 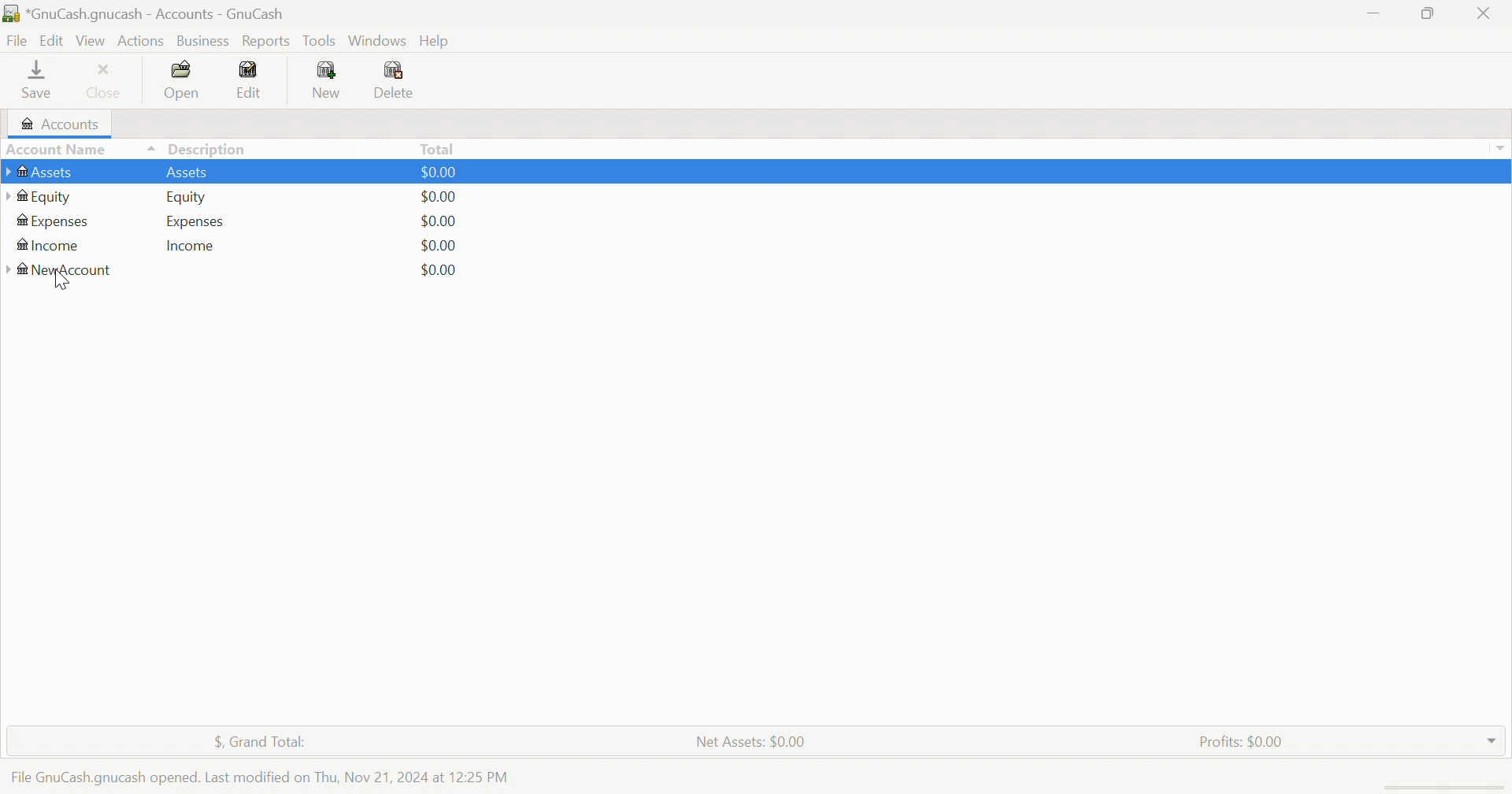 What do you see at coordinates (269, 743) in the screenshot?
I see `$, Grand Total:` at bounding box center [269, 743].